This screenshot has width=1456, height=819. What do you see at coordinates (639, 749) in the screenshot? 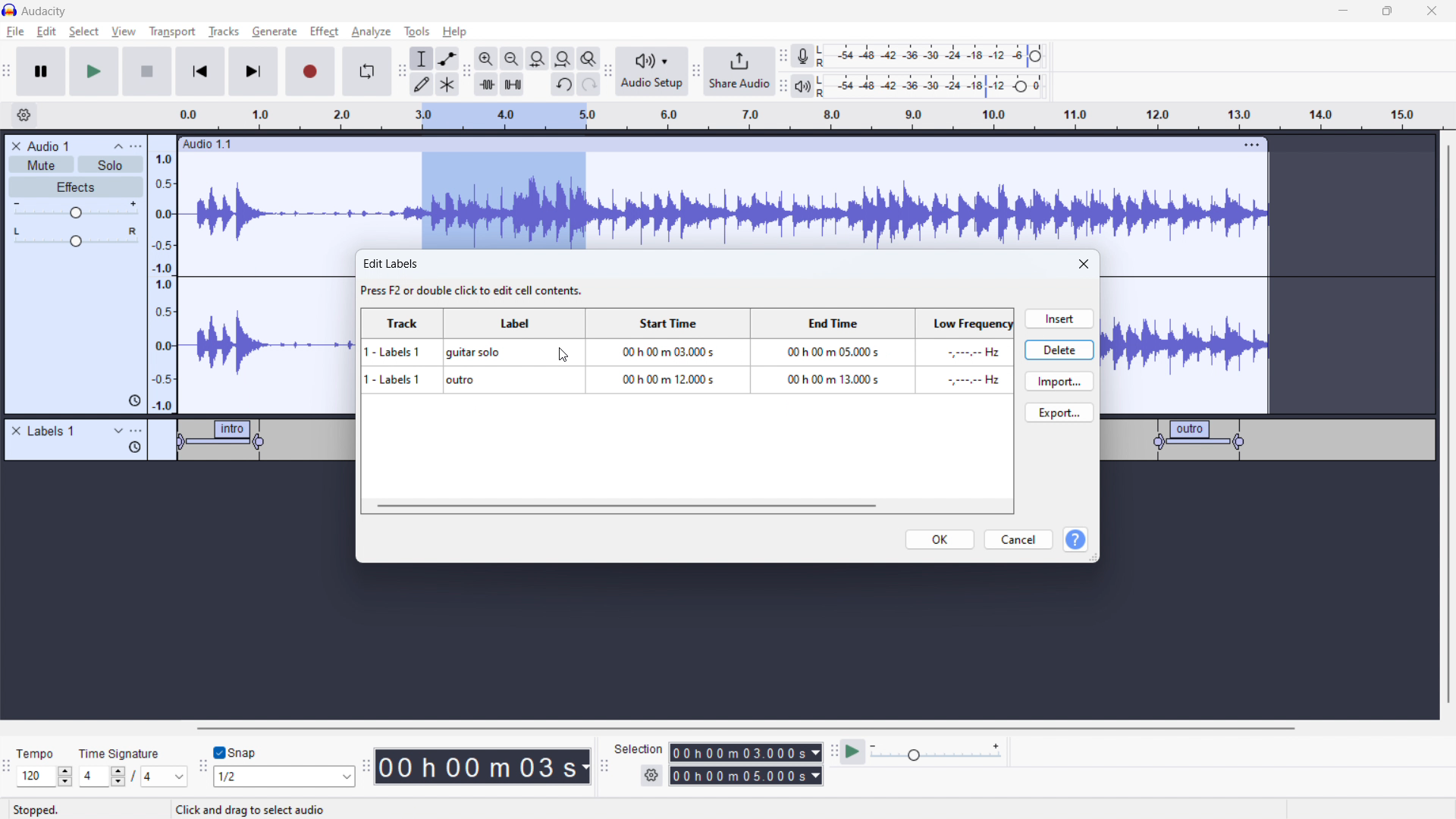
I see `selection` at bounding box center [639, 749].